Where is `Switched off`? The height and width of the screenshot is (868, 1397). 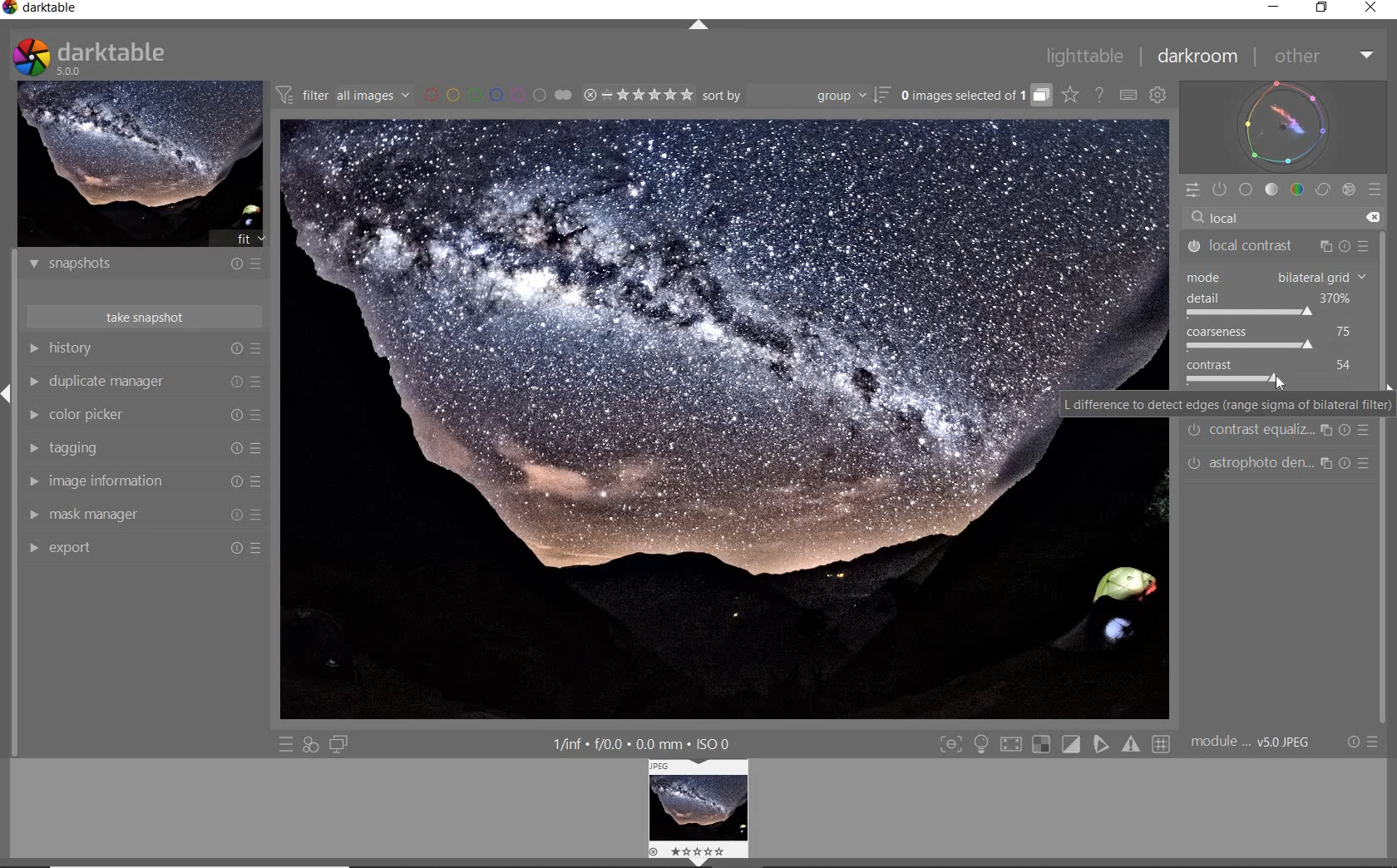 Switched off is located at coordinates (1194, 432).